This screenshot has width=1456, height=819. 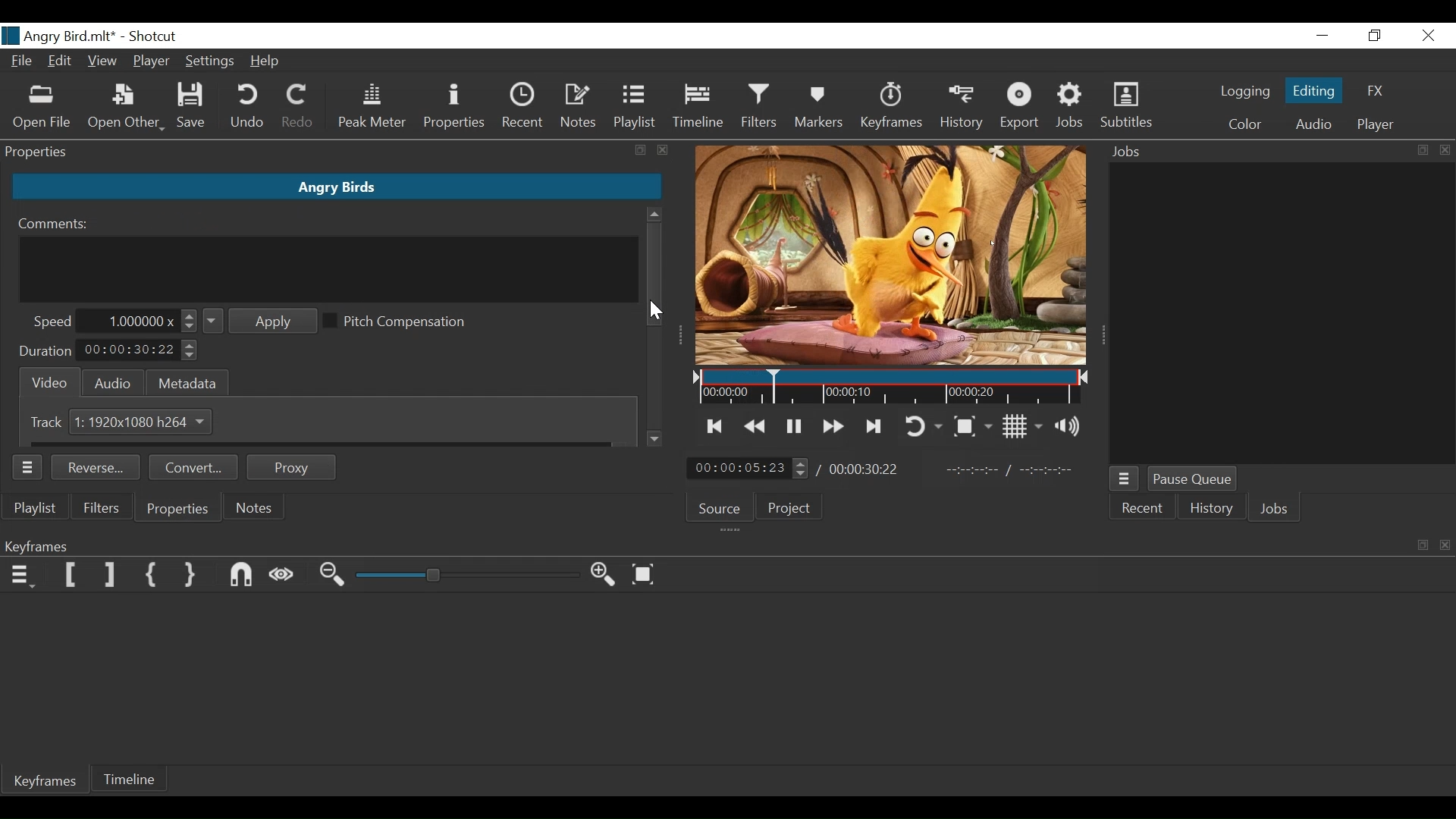 What do you see at coordinates (893, 388) in the screenshot?
I see `Timeline` at bounding box center [893, 388].